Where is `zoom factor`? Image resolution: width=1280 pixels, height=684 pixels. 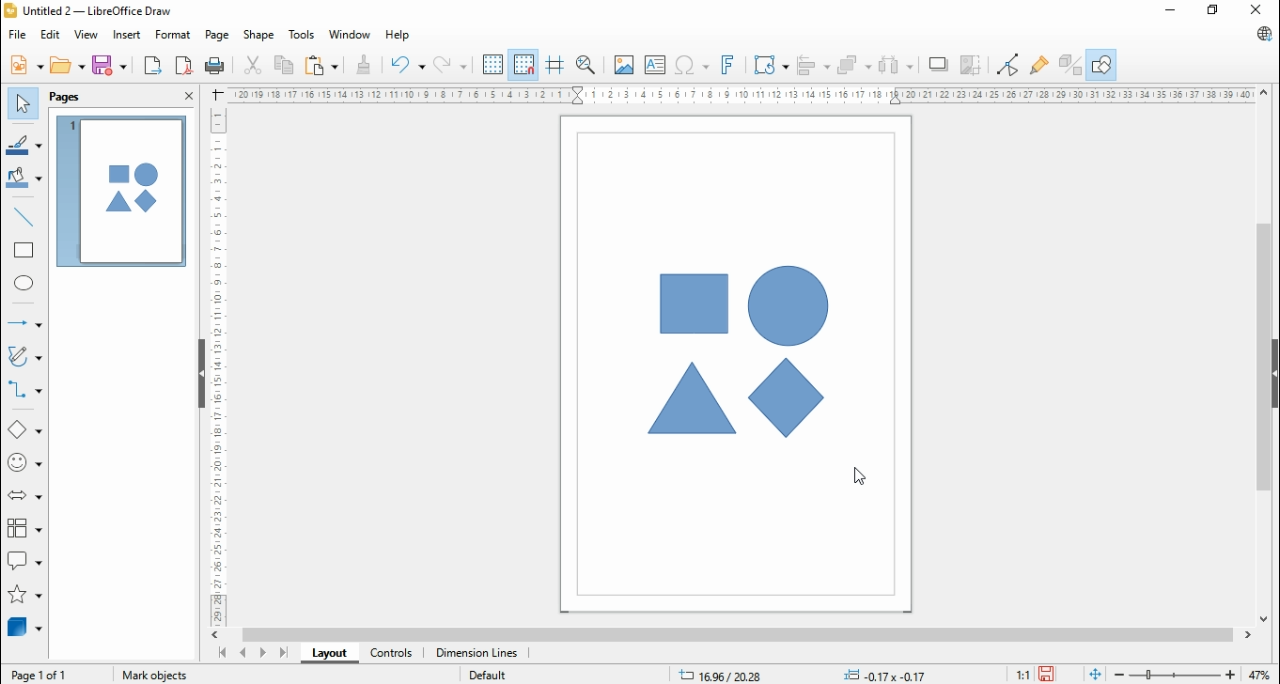 zoom factor is located at coordinates (1260, 673).